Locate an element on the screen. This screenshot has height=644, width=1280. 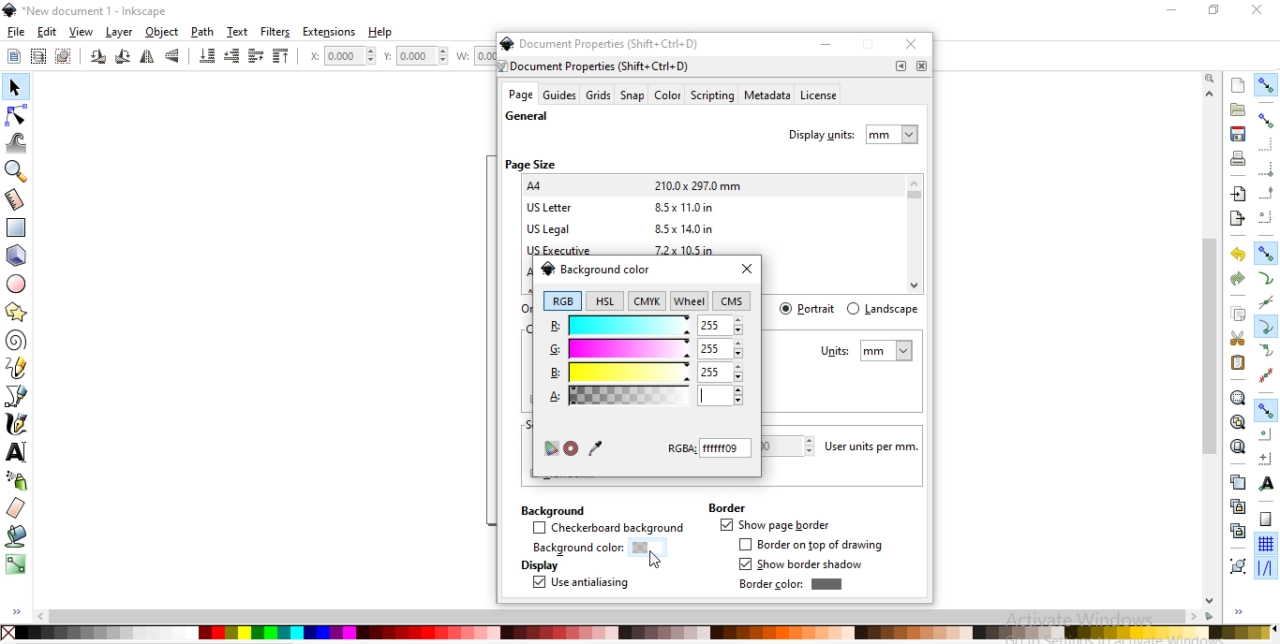
hsl is located at coordinates (603, 301).